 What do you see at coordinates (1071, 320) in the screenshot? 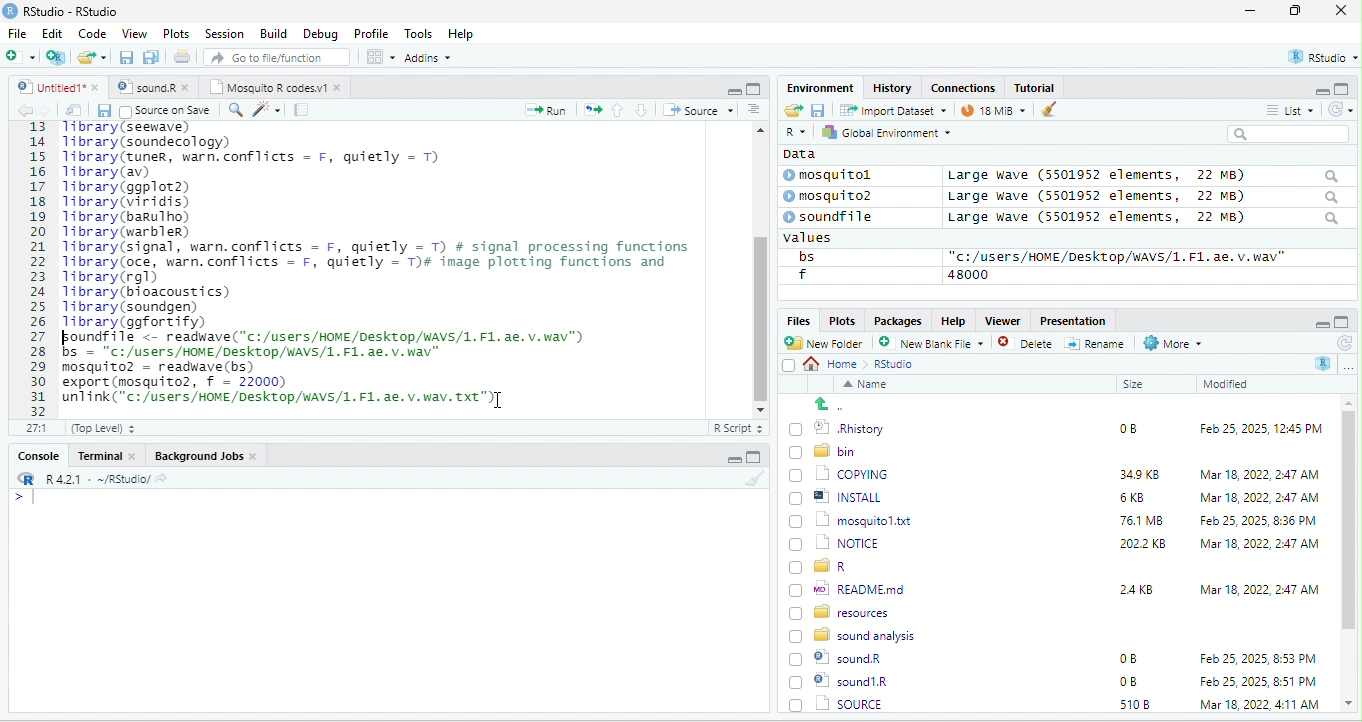
I see `Presentation` at bounding box center [1071, 320].